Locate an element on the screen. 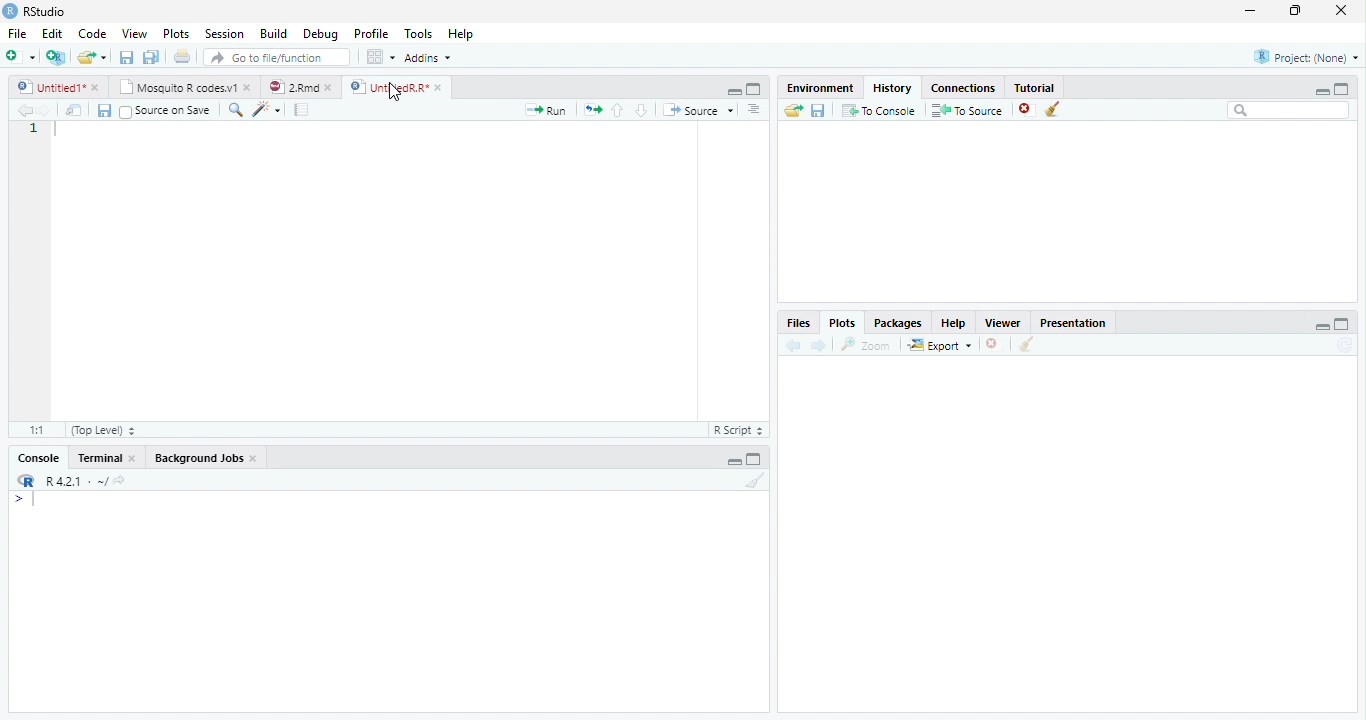 The width and height of the screenshot is (1366, 720). Next plot is located at coordinates (819, 345).